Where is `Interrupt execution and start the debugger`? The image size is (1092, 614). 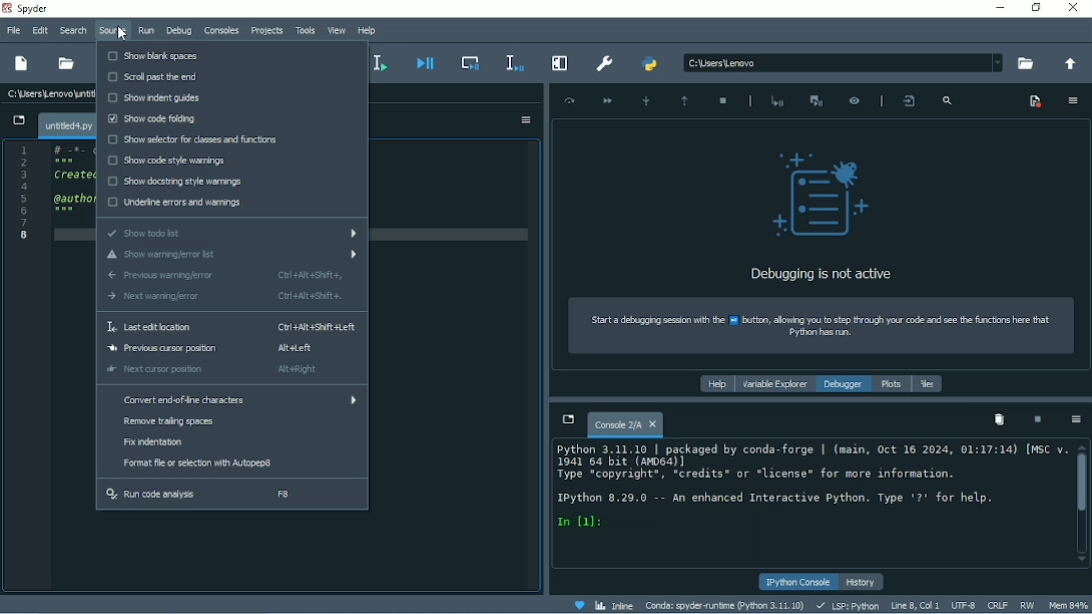 Interrupt execution and start the debugger is located at coordinates (816, 102).